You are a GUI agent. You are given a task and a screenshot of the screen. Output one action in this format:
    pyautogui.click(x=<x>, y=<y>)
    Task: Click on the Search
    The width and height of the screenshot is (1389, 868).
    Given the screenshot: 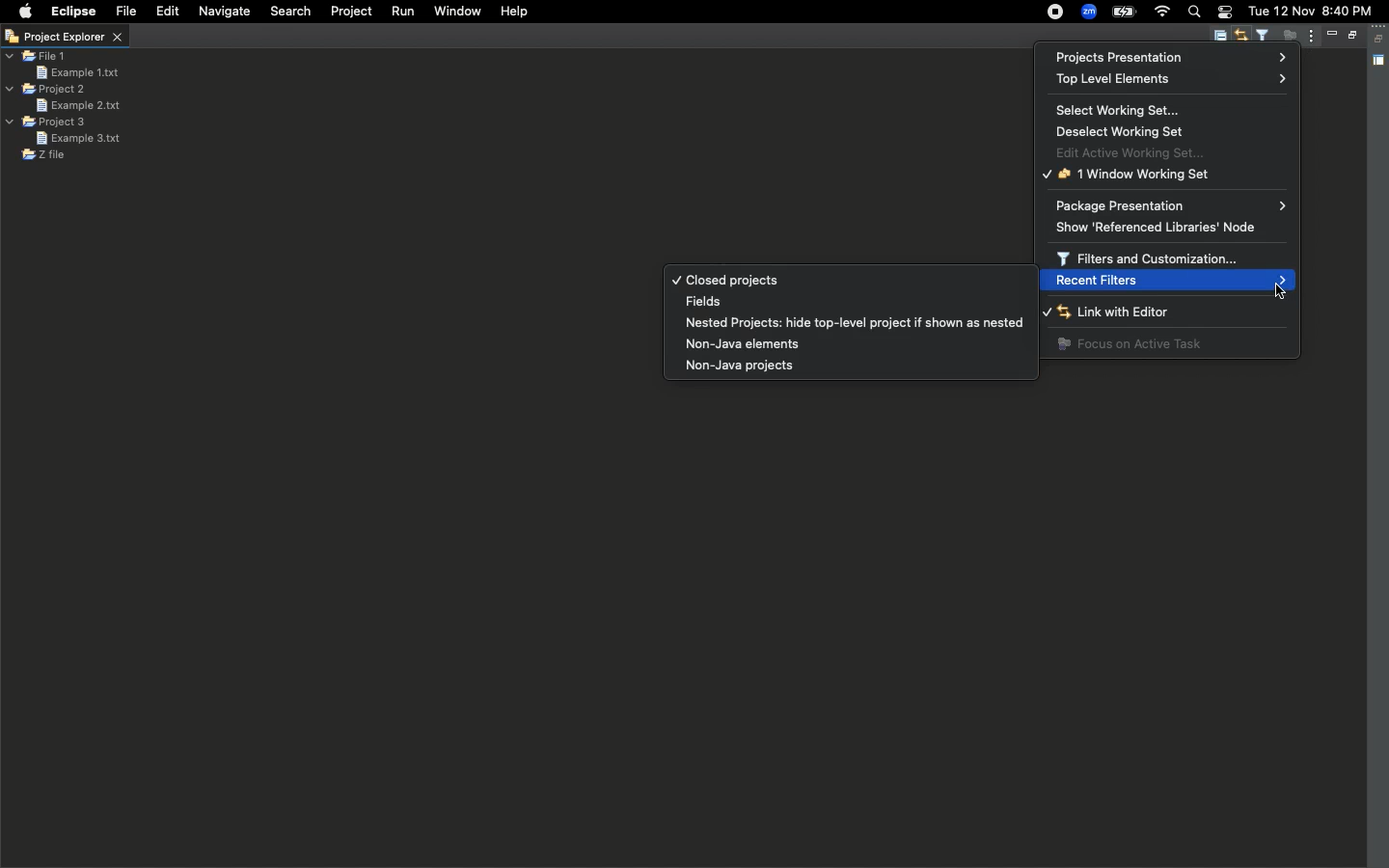 What is the action you would take?
    pyautogui.click(x=1194, y=14)
    